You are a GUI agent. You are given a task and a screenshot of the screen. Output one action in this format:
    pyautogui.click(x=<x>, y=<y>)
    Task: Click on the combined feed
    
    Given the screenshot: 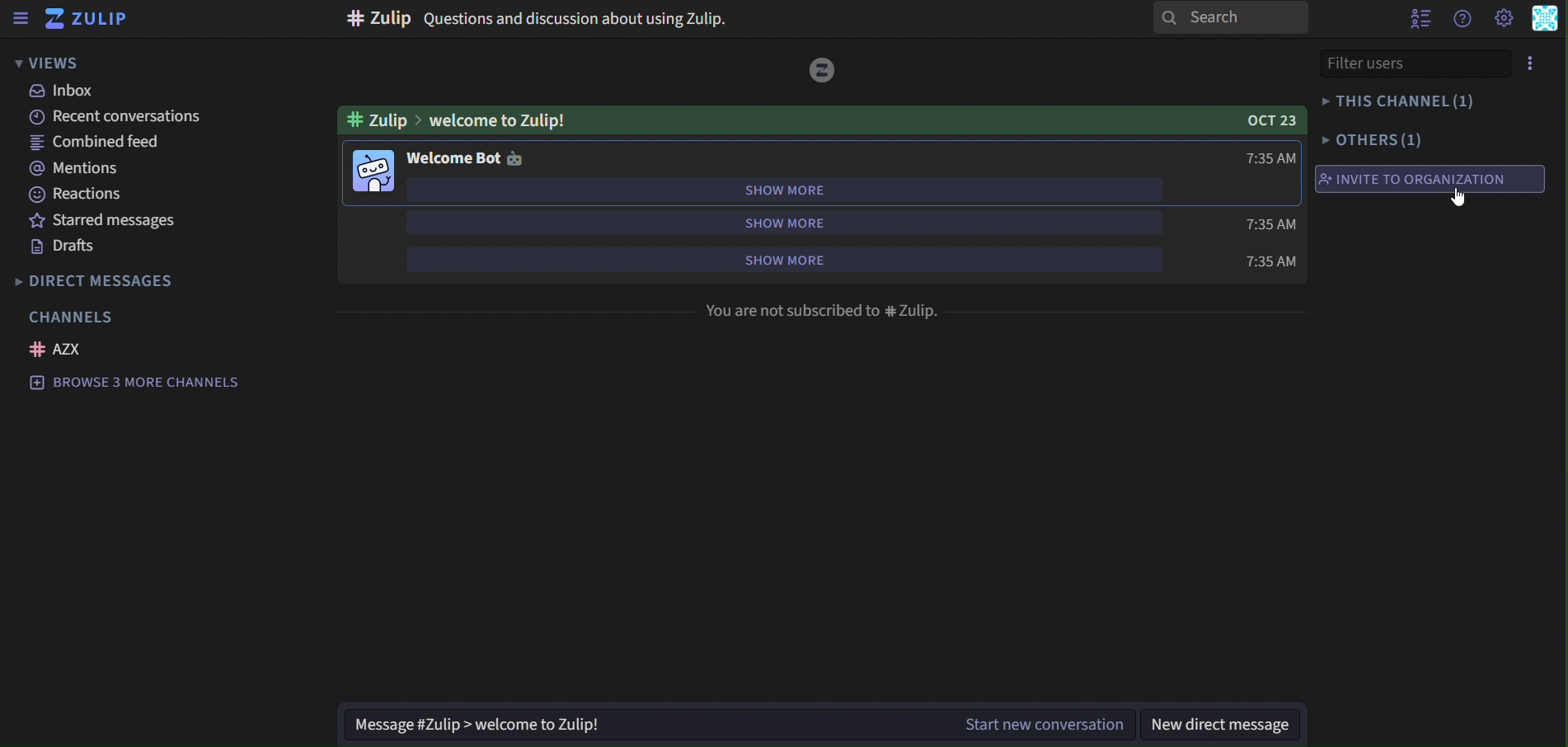 What is the action you would take?
    pyautogui.click(x=110, y=142)
    